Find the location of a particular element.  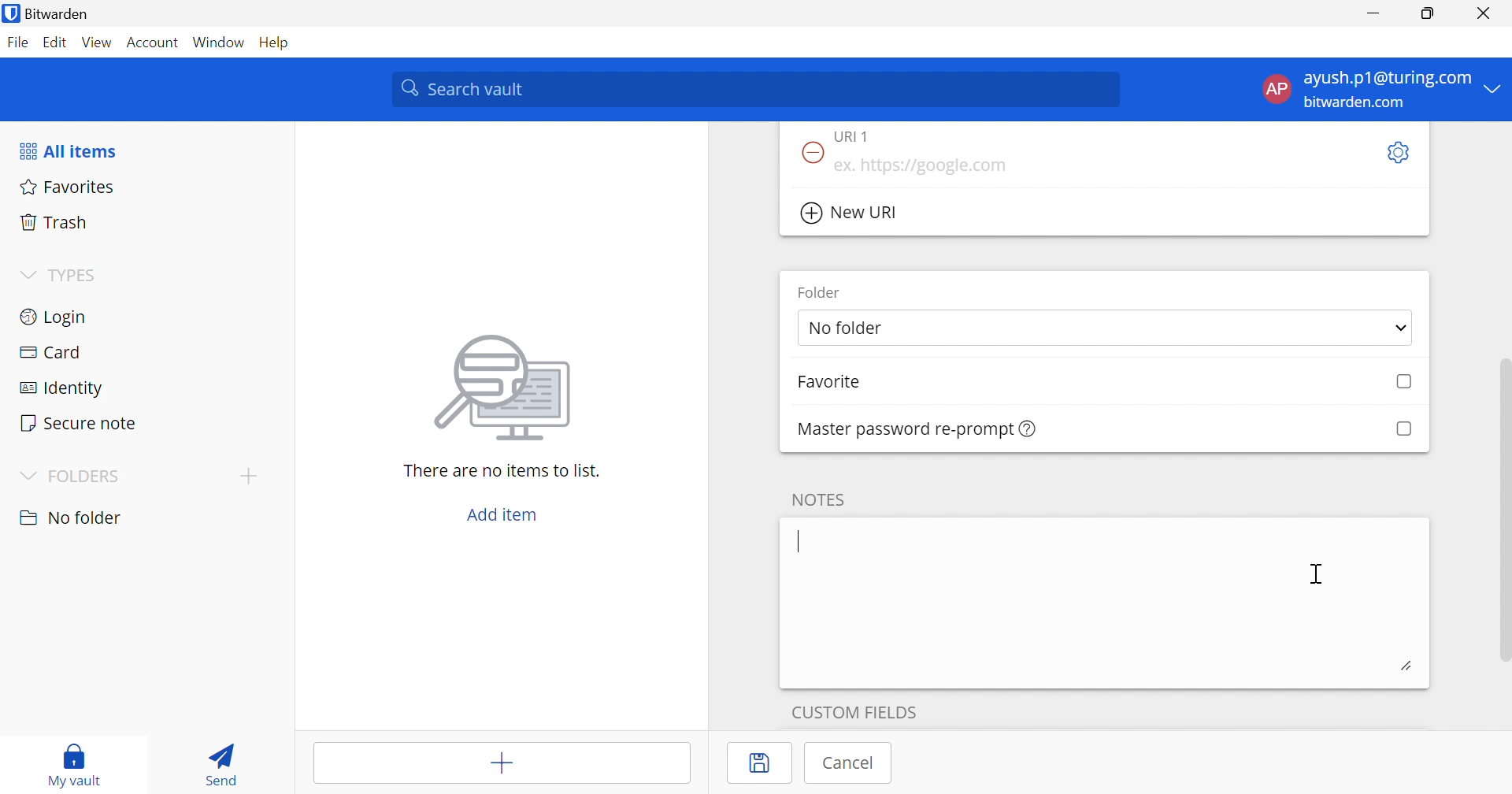

New URI is located at coordinates (851, 213).